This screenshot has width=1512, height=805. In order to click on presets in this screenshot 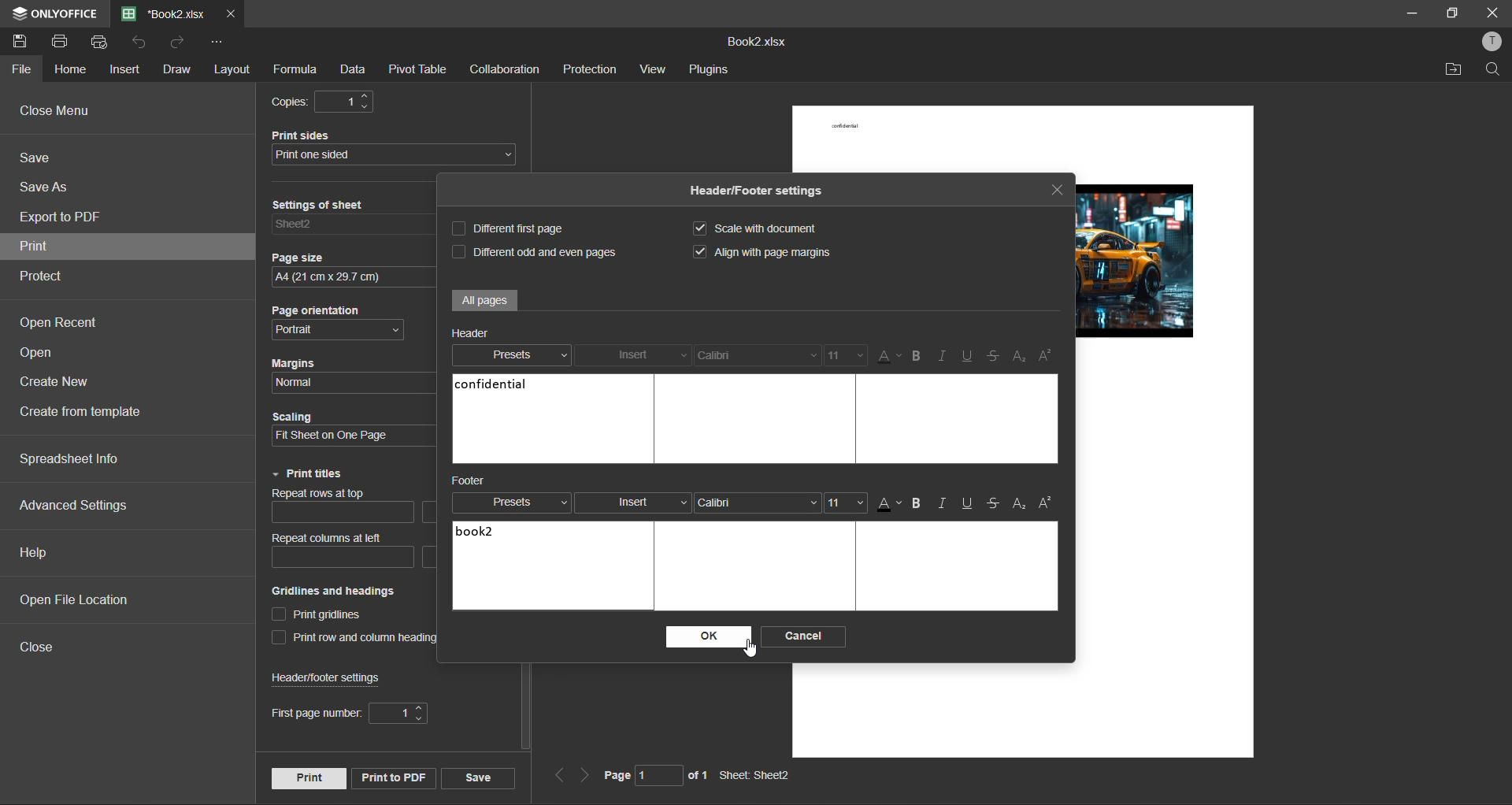, I will do `click(511, 356)`.